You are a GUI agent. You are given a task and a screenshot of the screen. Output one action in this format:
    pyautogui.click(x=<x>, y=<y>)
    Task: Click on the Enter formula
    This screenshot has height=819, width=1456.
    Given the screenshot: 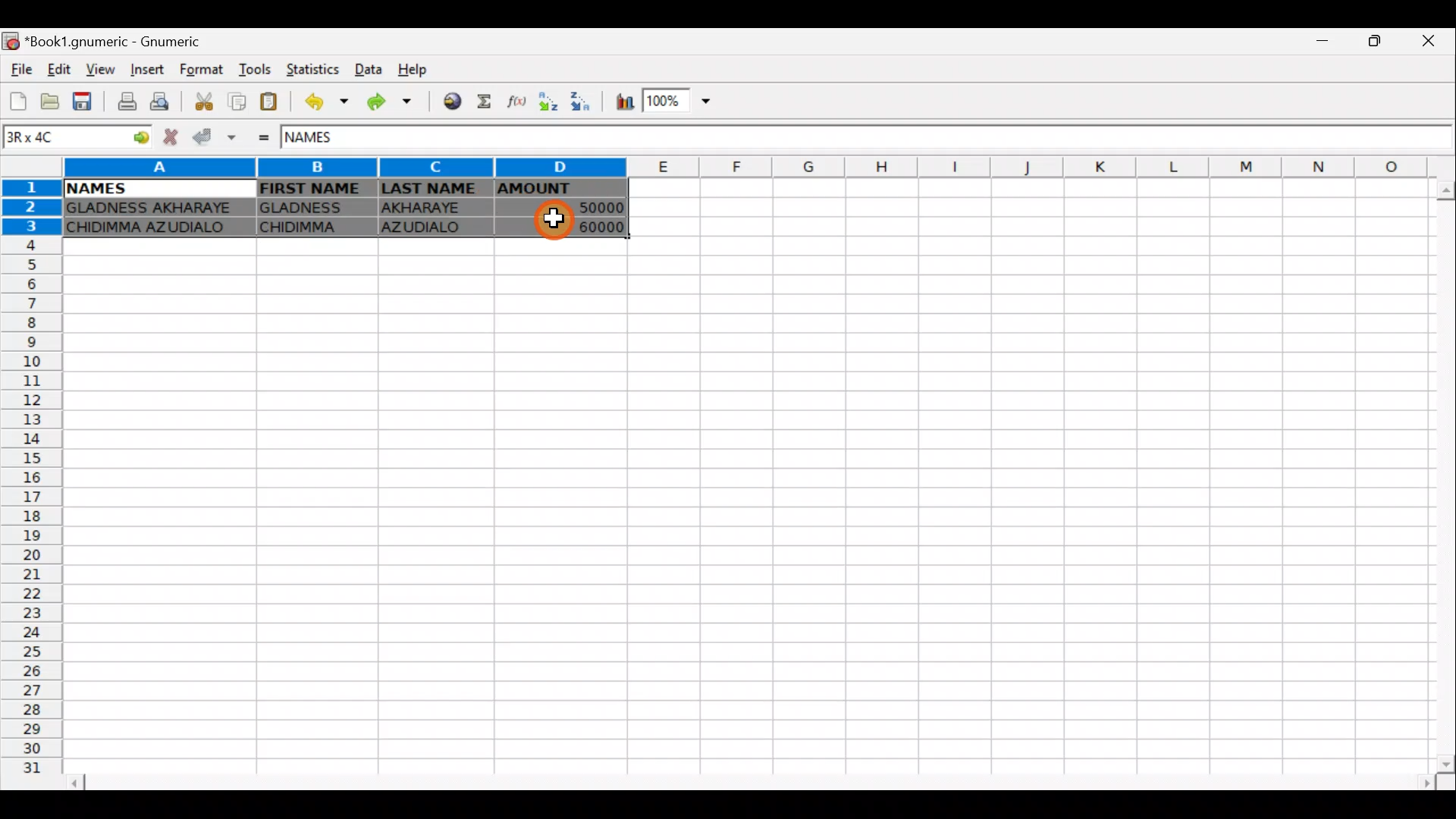 What is the action you would take?
    pyautogui.click(x=265, y=140)
    